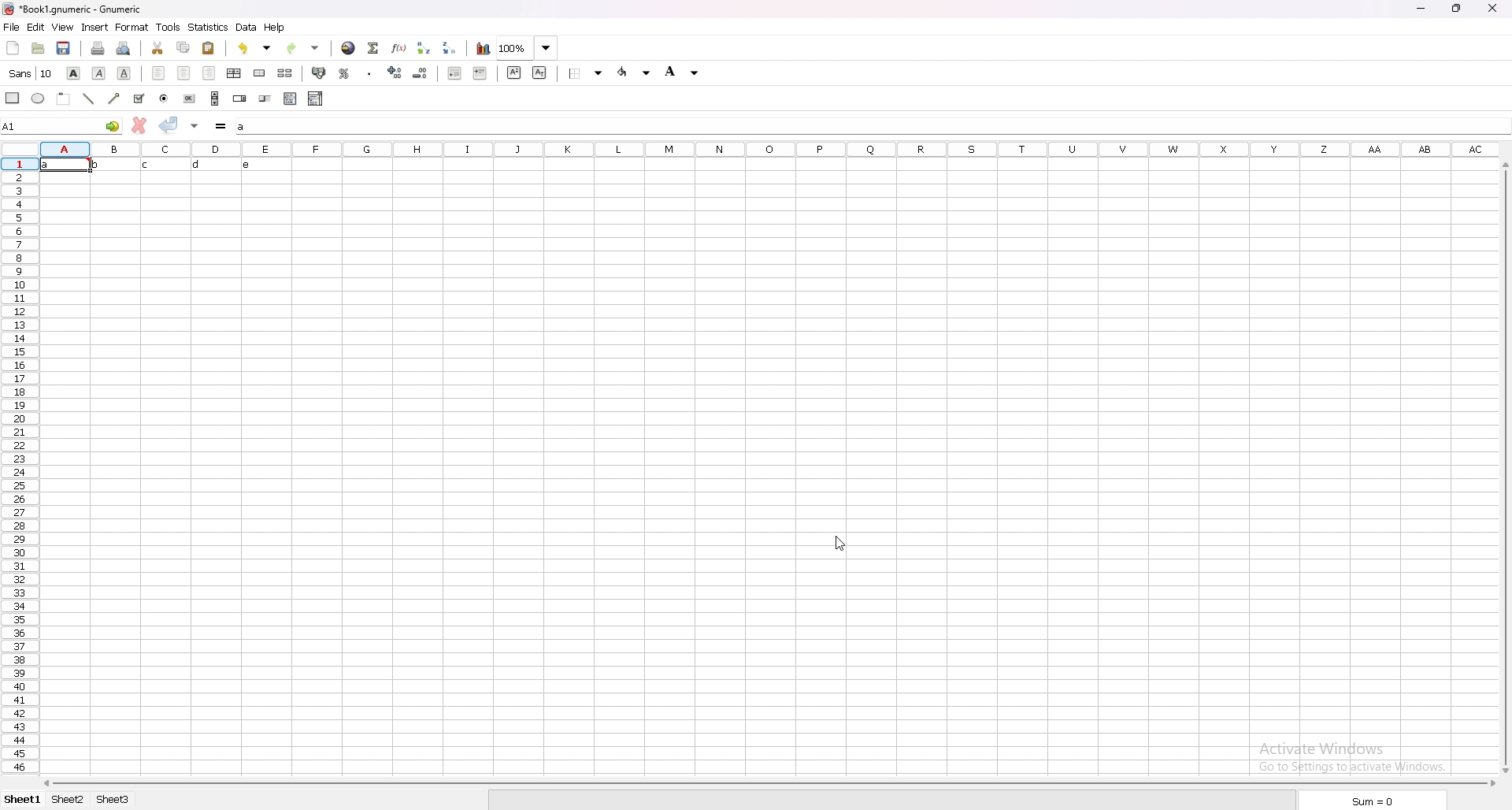 This screenshot has height=810, width=1512. What do you see at coordinates (195, 126) in the screenshot?
I see `accept change in multiple cell` at bounding box center [195, 126].